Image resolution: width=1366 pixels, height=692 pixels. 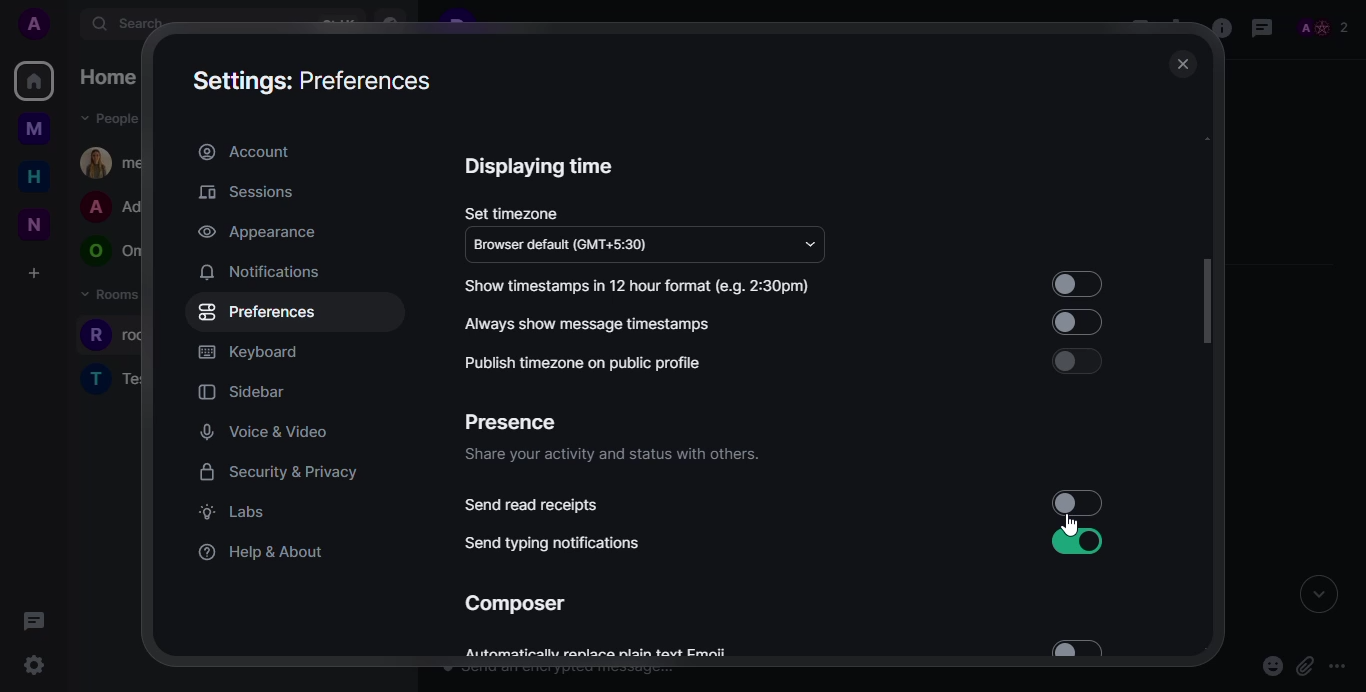 I want to click on scrolled down, so click(x=1213, y=303).